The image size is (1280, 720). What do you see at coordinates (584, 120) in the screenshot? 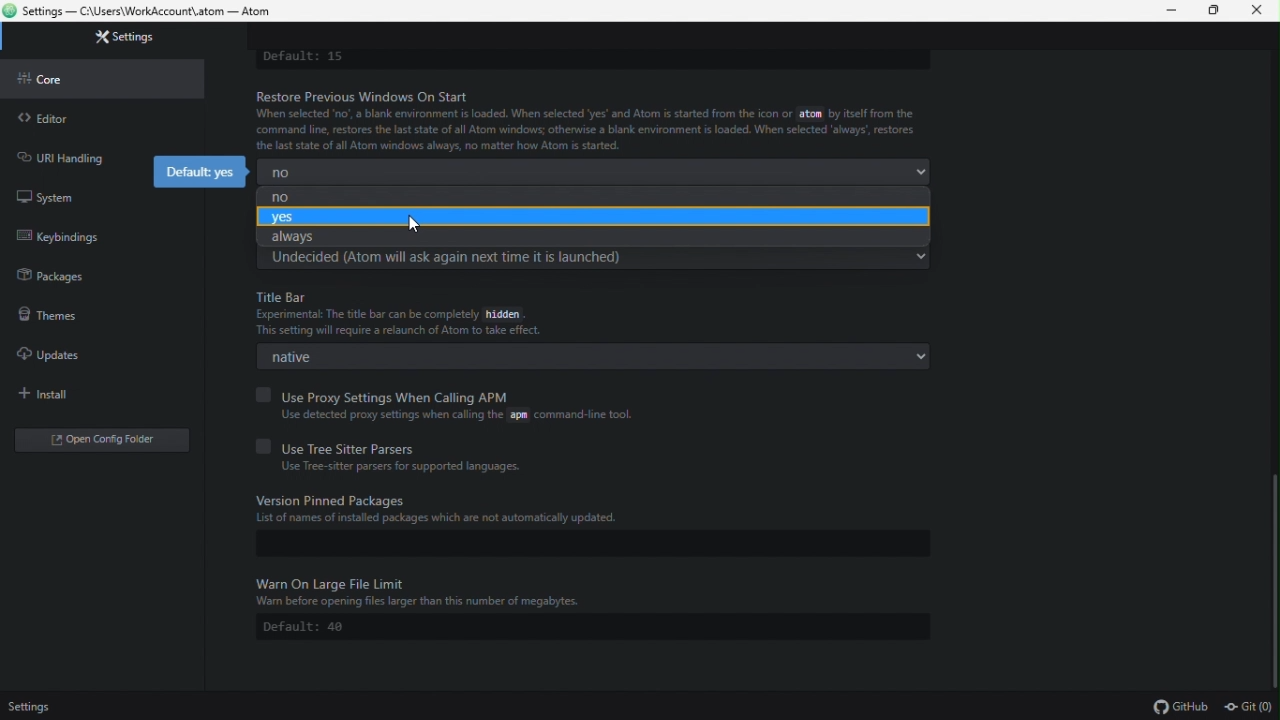
I see `Restore previous window On Start When selected 'no,' a blank environment is loaded. When selected 'yes' and Atom is started from tge icon or atom by itself from the command line, restores the laststate of all Atom windows, otherwise a blank environment is loaded. When selected 'always, restores the last of all Atom windows always, no matter how Atom is started.'` at bounding box center [584, 120].